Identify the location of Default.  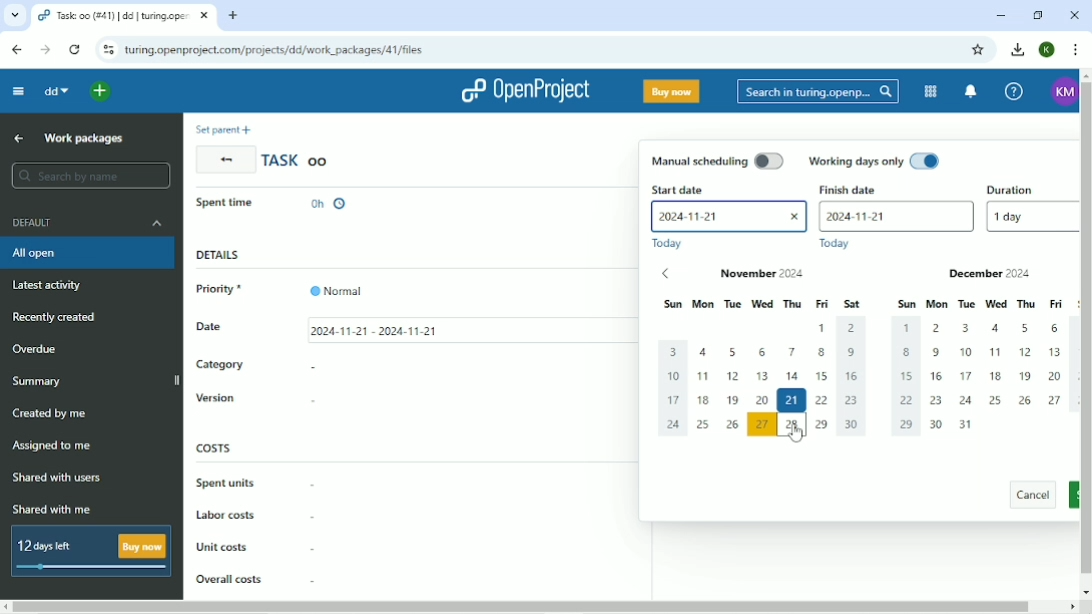
(87, 223).